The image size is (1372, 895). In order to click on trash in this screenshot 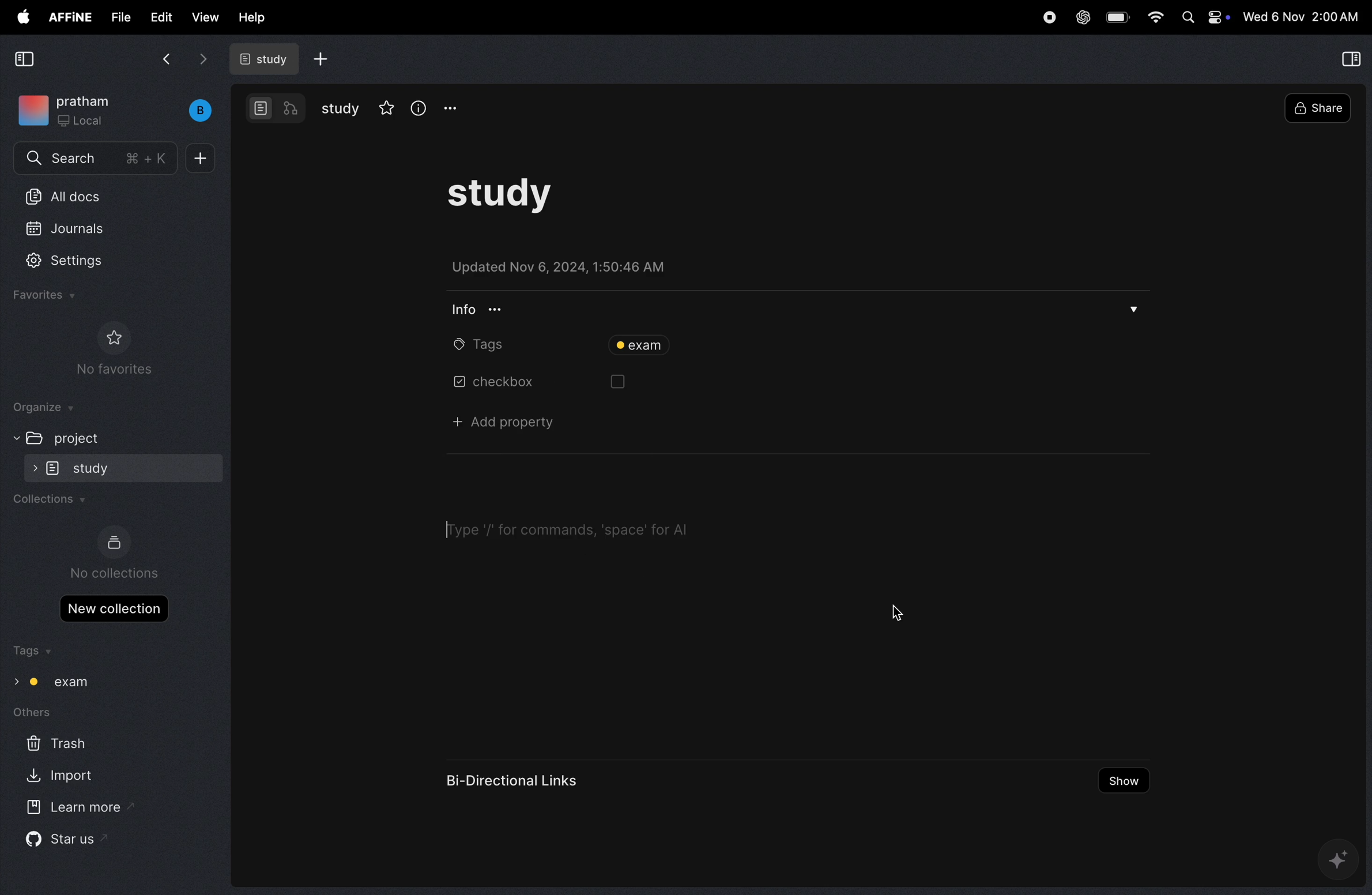, I will do `click(68, 743)`.